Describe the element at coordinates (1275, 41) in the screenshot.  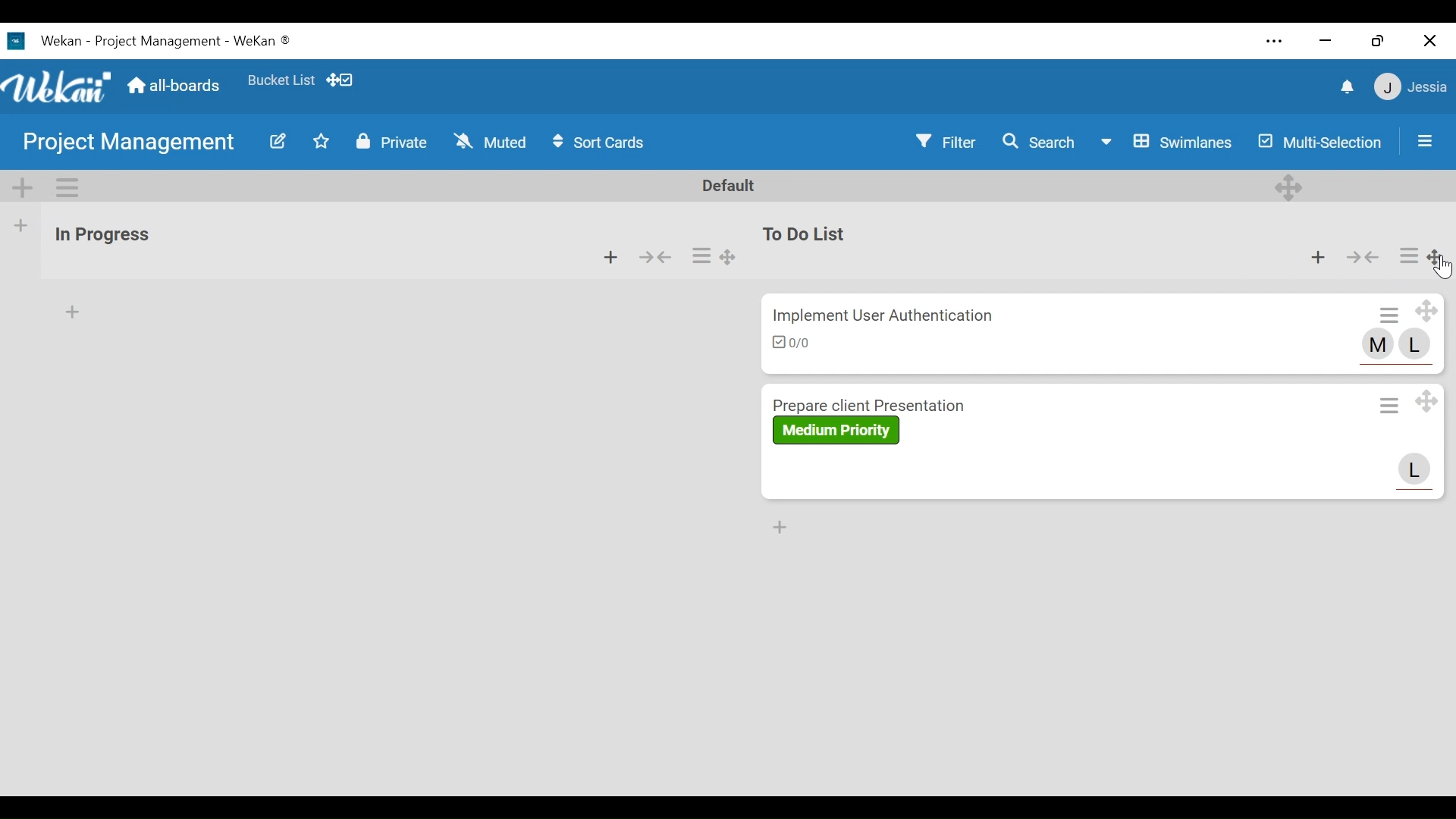
I see `settings and more` at that location.